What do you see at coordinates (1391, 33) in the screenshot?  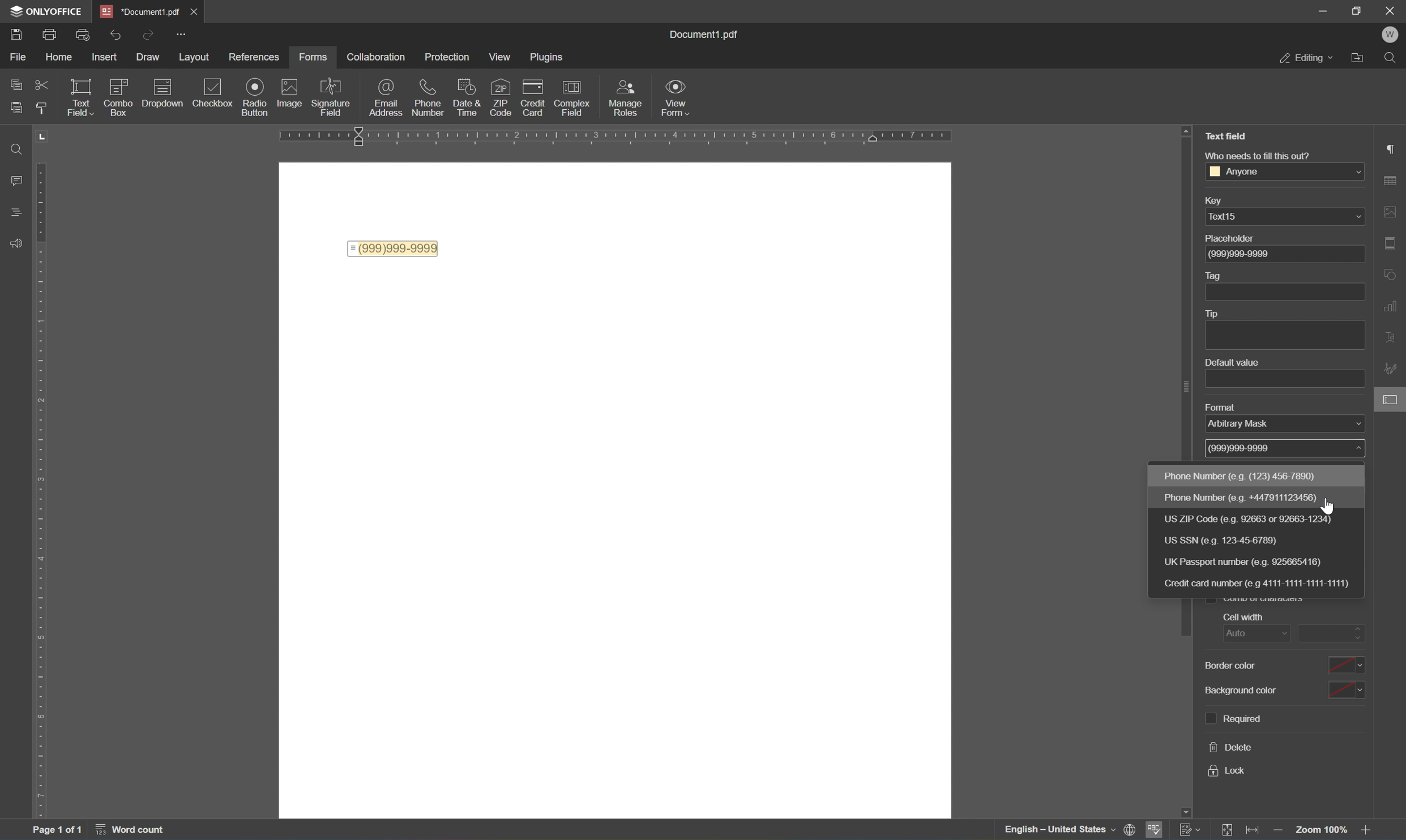 I see `welcome` at bounding box center [1391, 33].